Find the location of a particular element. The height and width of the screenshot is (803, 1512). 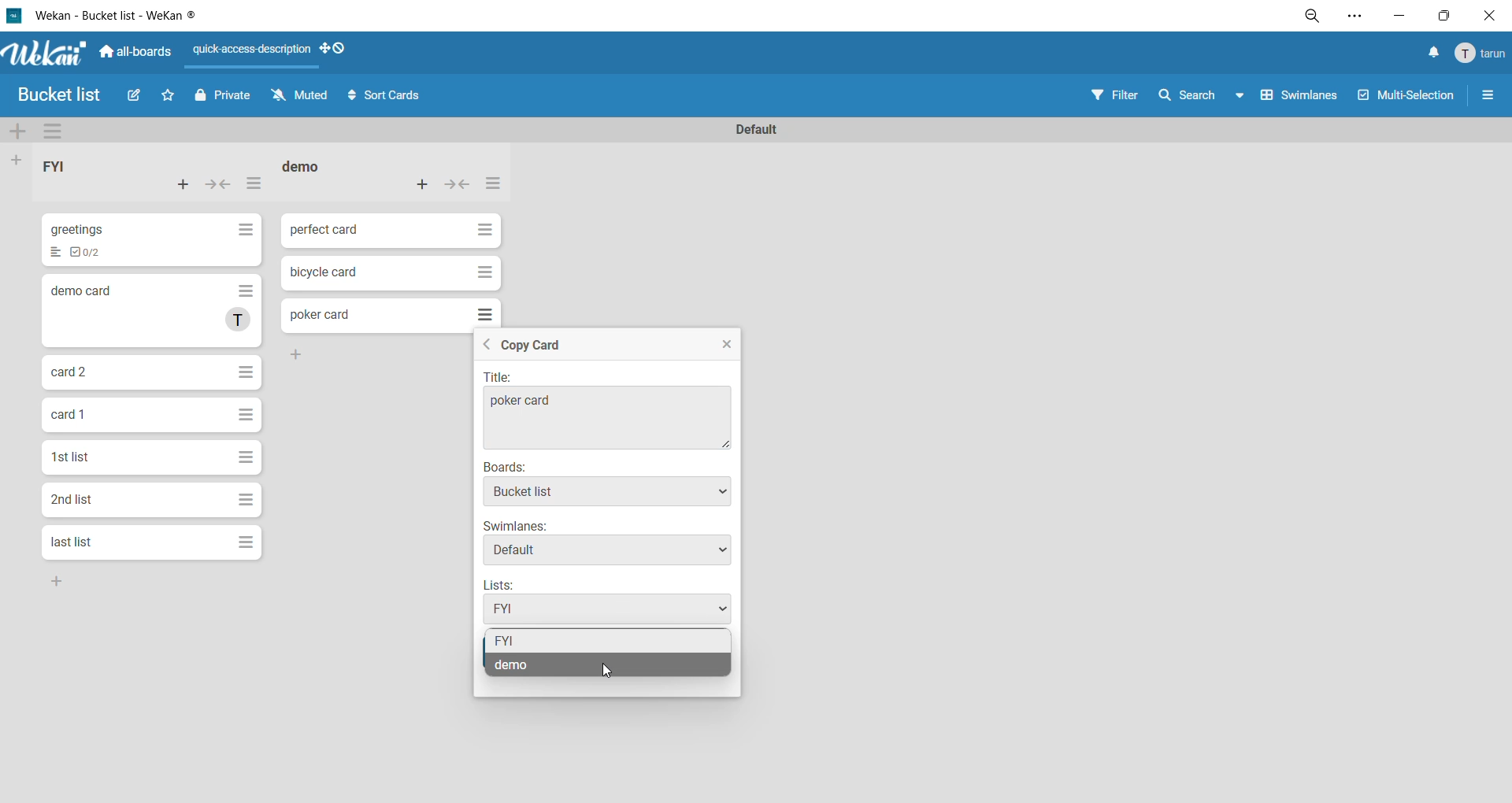

all boards is located at coordinates (136, 50).